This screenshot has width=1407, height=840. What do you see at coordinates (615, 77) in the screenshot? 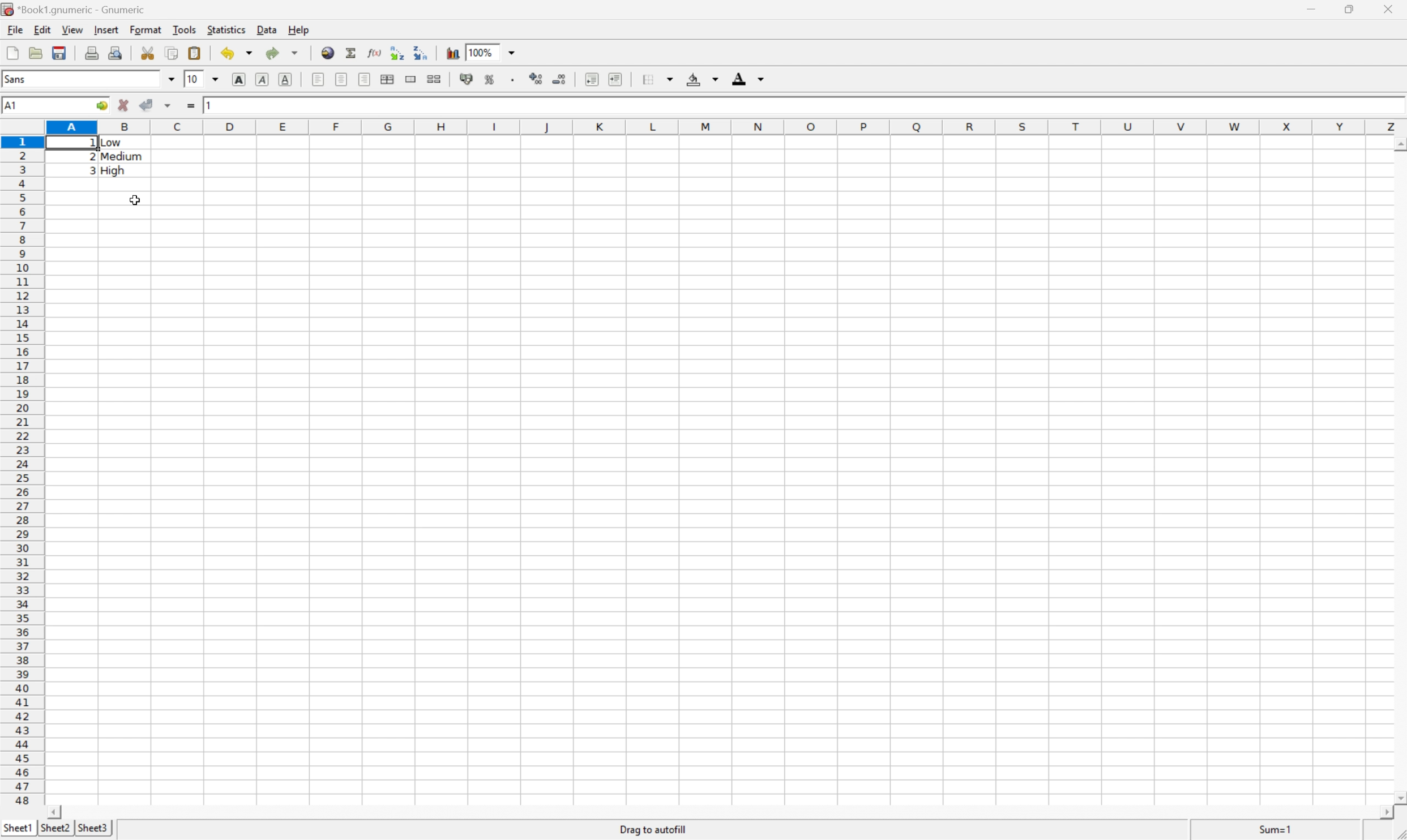
I see `Increase indent, and align the contents to the left` at bounding box center [615, 77].